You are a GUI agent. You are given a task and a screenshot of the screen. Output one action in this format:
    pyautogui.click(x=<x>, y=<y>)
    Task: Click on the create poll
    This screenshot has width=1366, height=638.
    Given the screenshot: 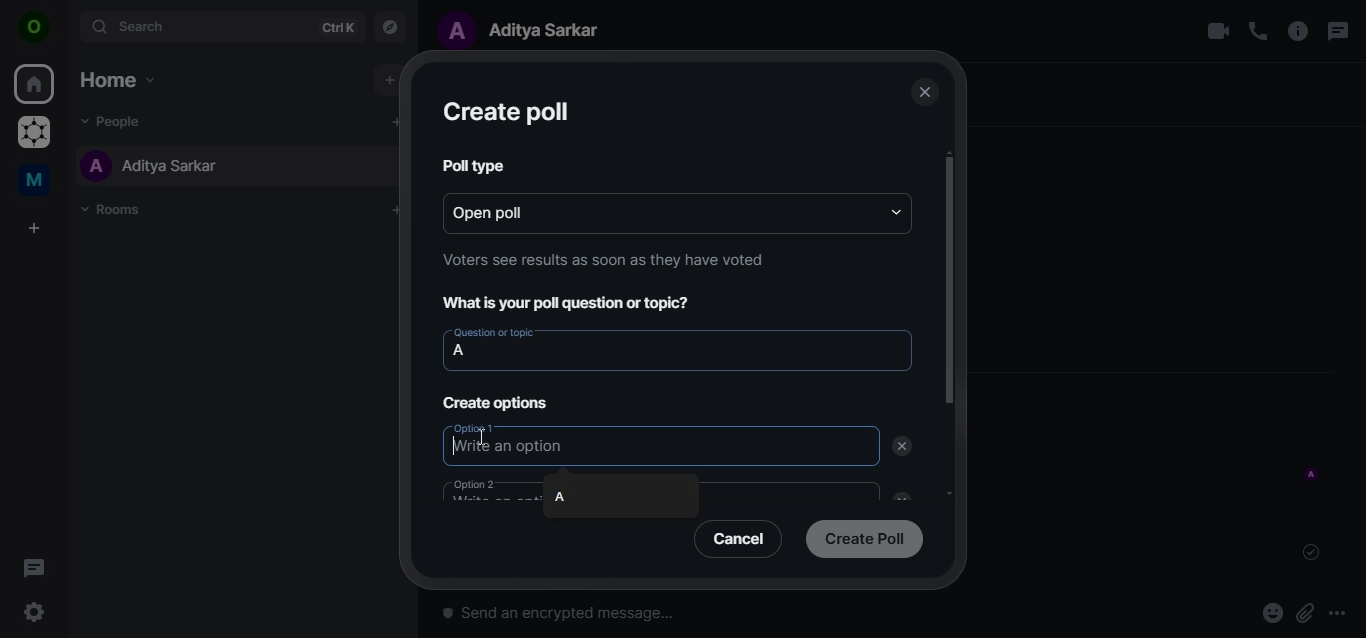 What is the action you would take?
    pyautogui.click(x=864, y=537)
    